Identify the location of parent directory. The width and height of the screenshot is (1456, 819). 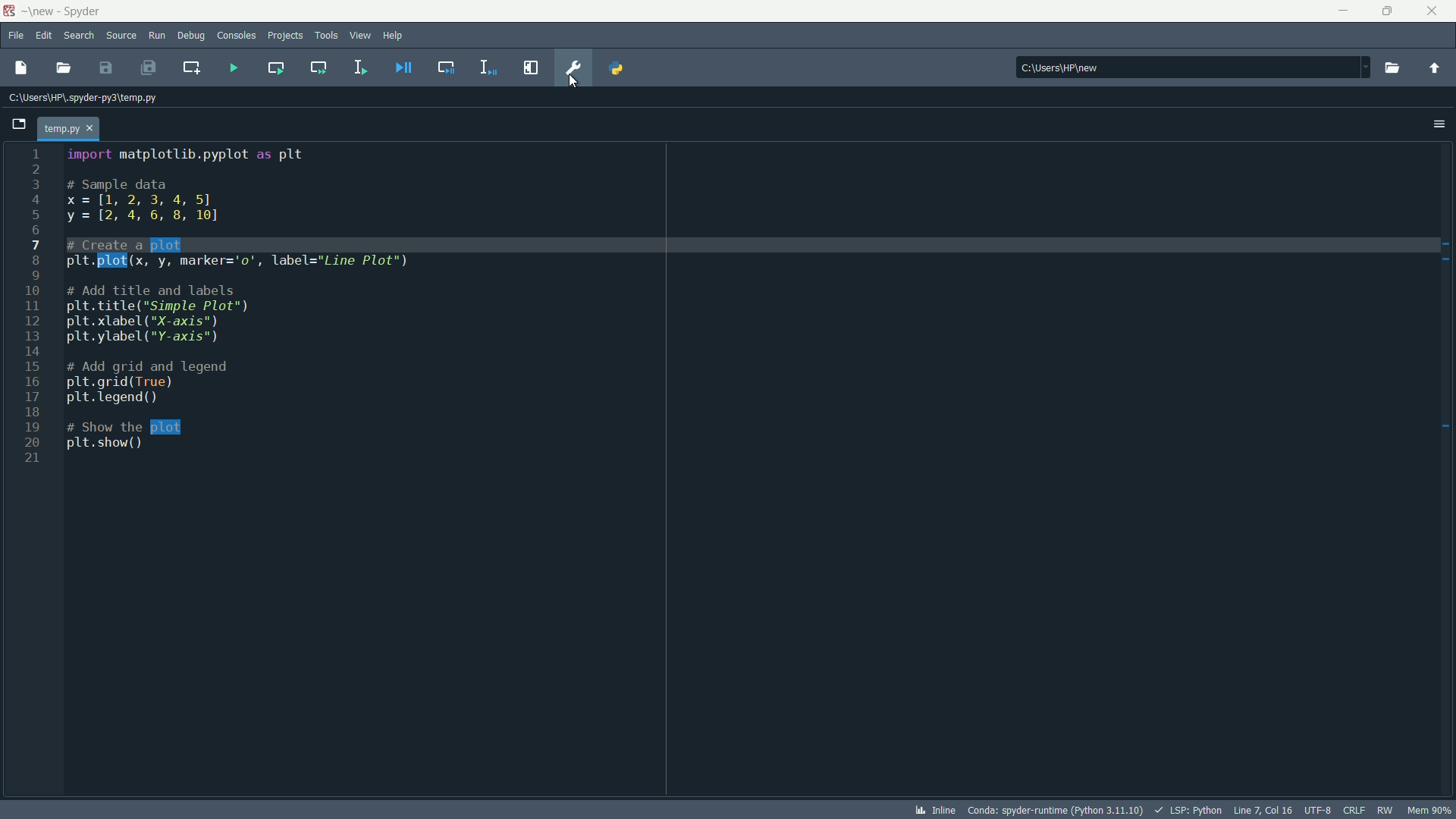
(1434, 68).